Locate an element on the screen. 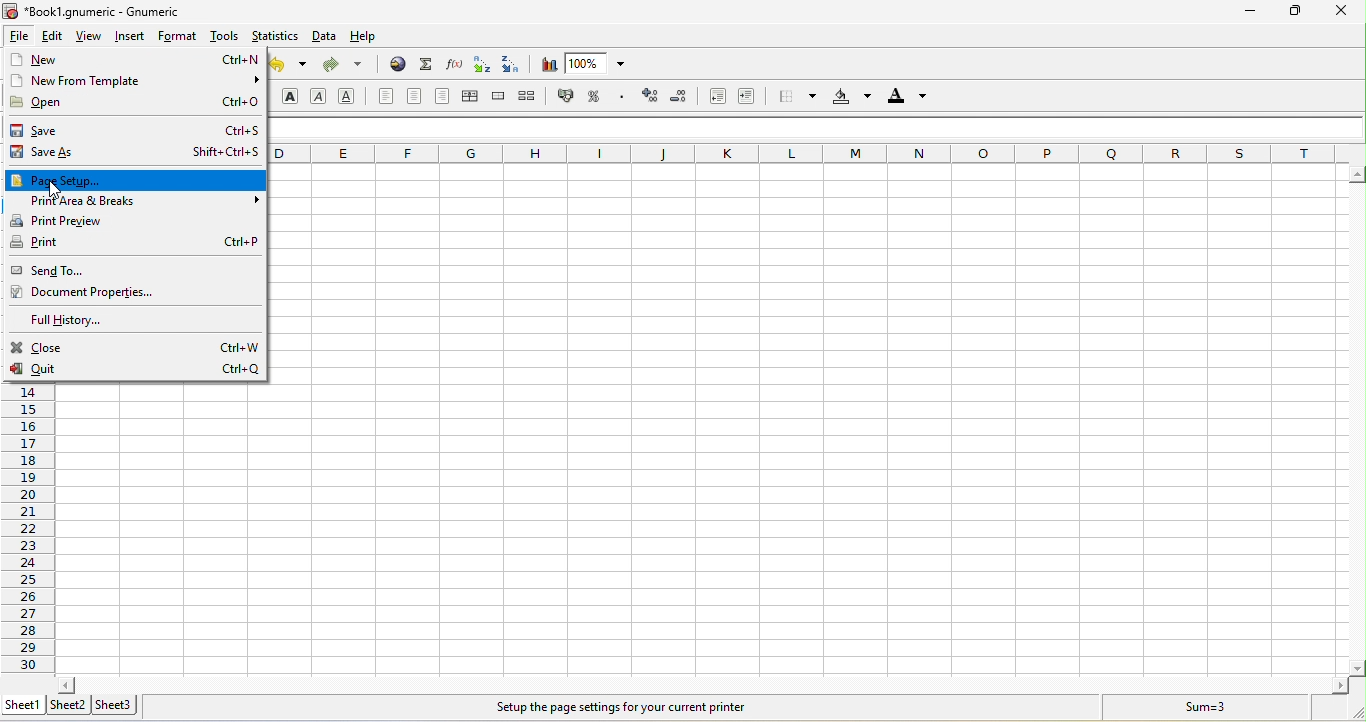 The height and width of the screenshot is (722, 1366). print preview is located at coordinates (111, 222).